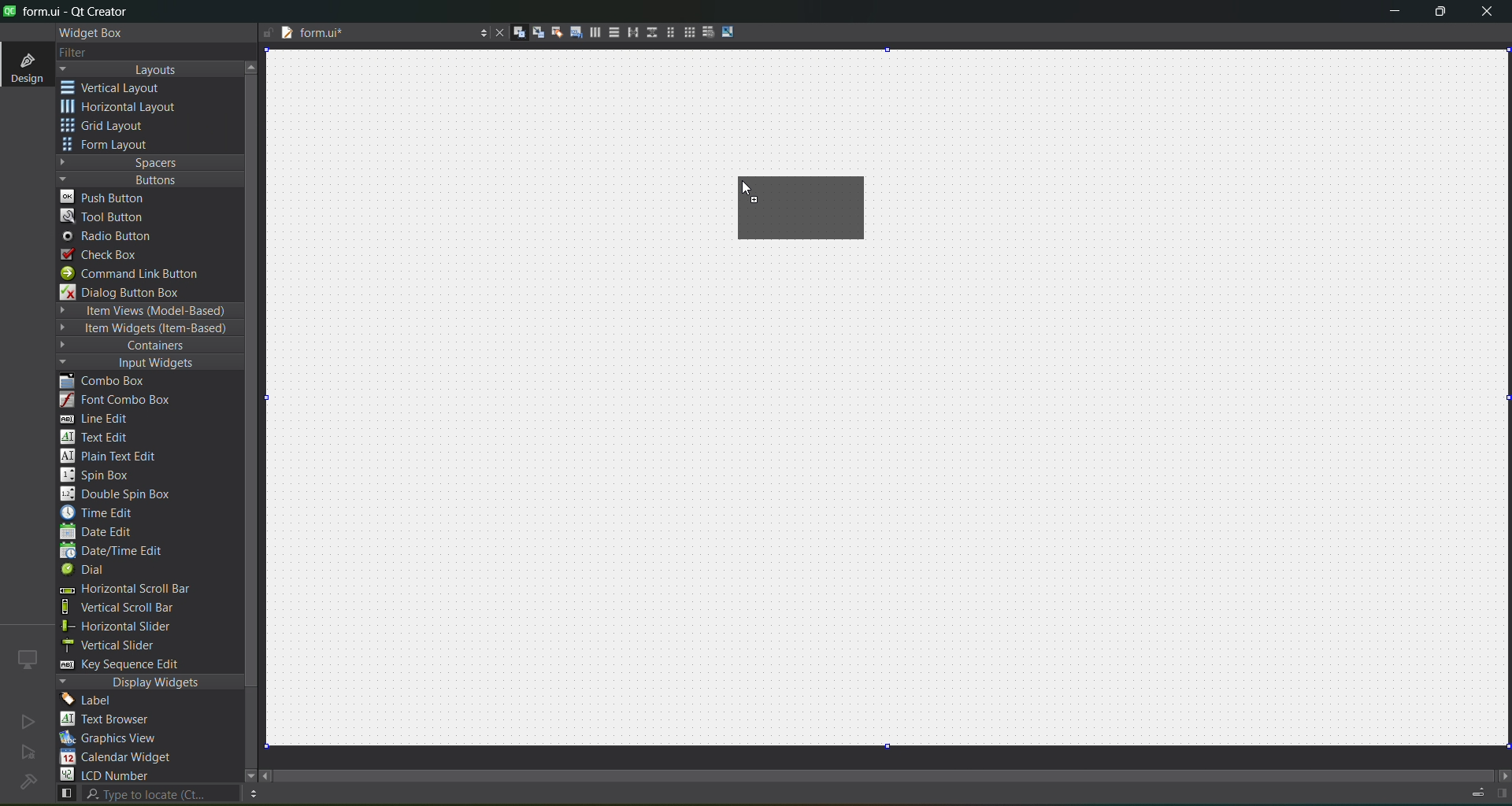 The height and width of the screenshot is (806, 1512). Describe the element at coordinates (146, 179) in the screenshot. I see `buttons` at that location.